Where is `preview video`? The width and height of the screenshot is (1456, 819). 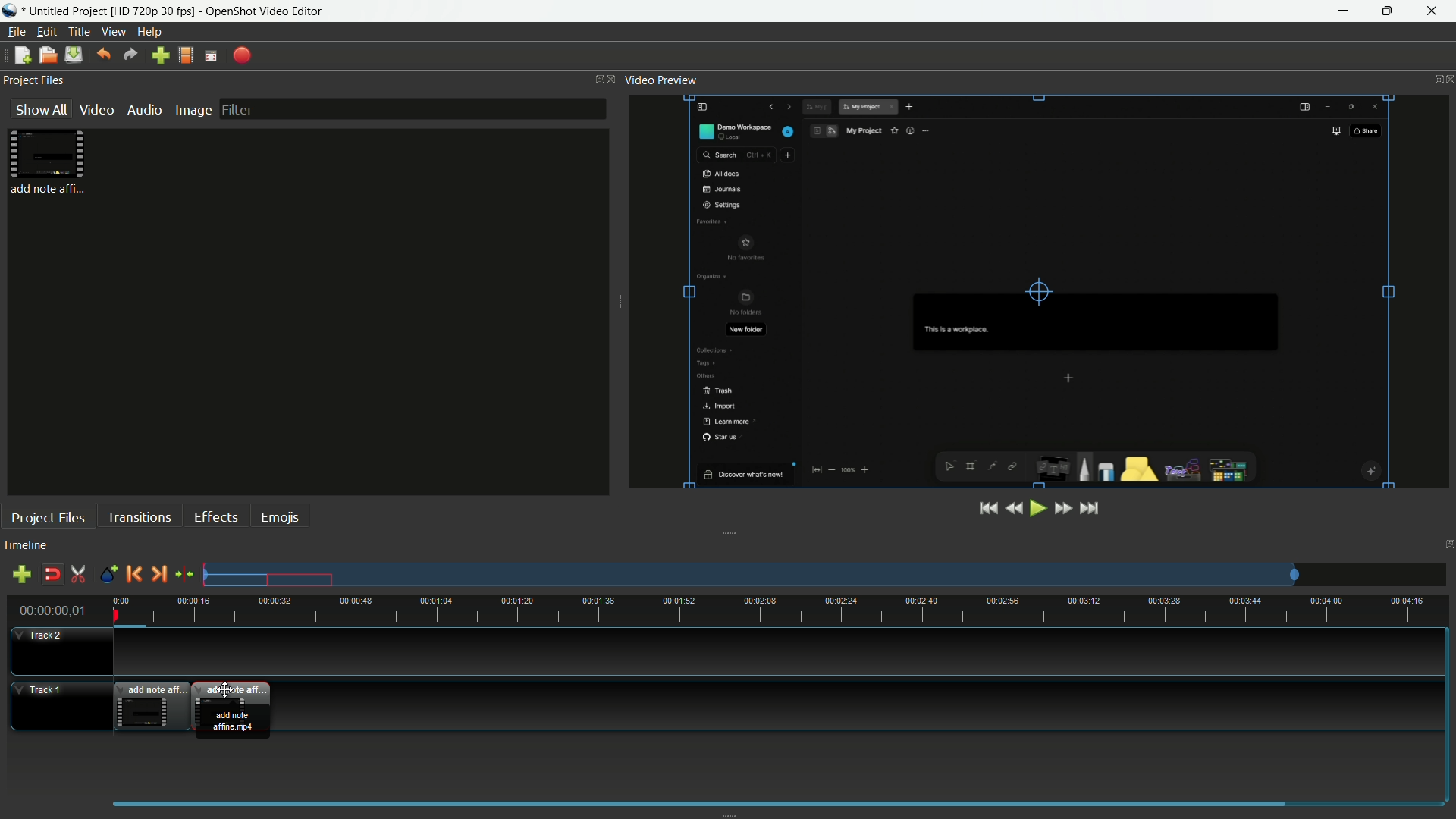
preview video is located at coordinates (1037, 290).